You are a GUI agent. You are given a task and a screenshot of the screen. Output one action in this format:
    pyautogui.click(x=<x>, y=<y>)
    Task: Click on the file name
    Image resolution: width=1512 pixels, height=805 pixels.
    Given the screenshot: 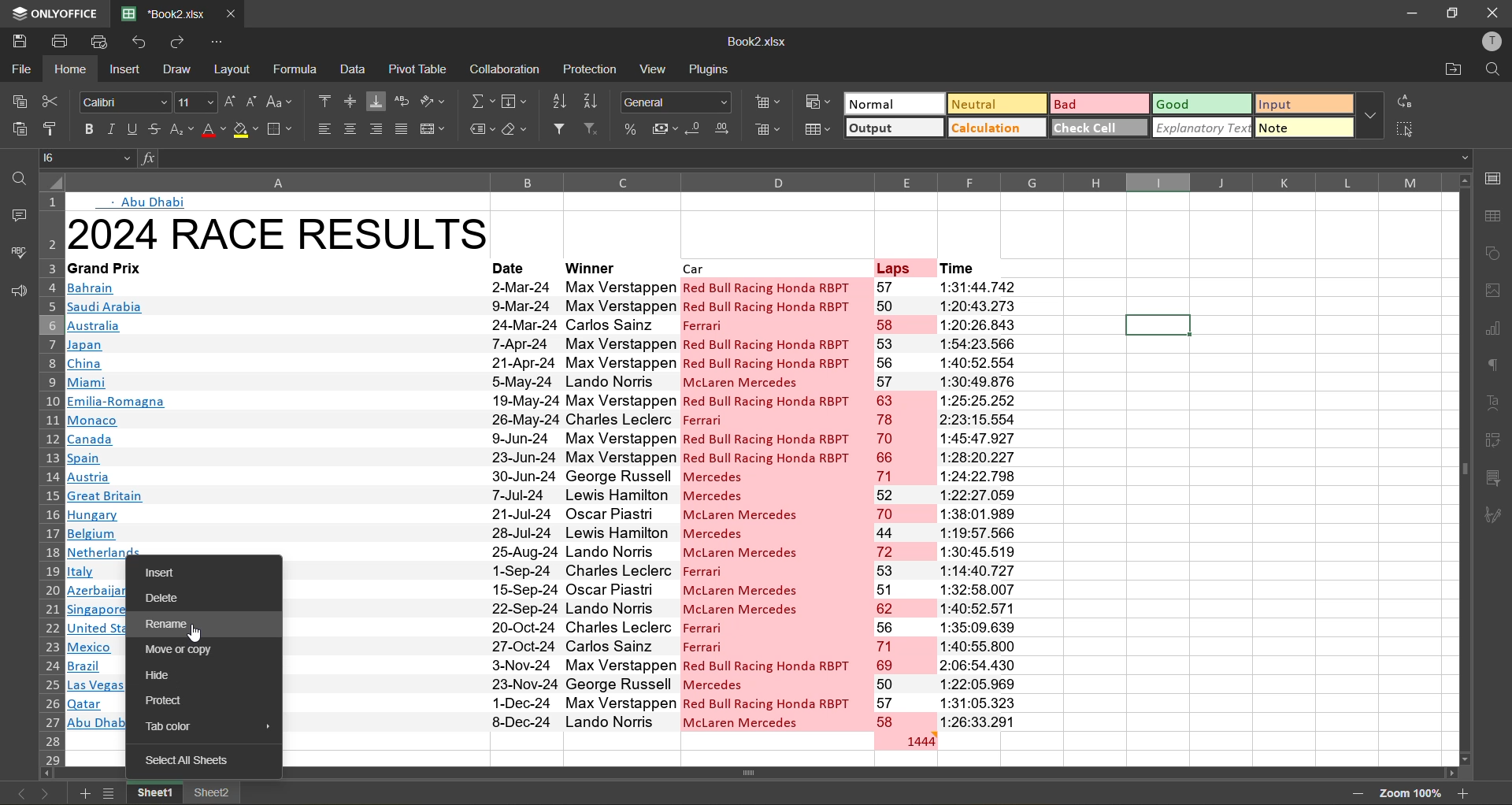 What is the action you would take?
    pyautogui.click(x=754, y=41)
    